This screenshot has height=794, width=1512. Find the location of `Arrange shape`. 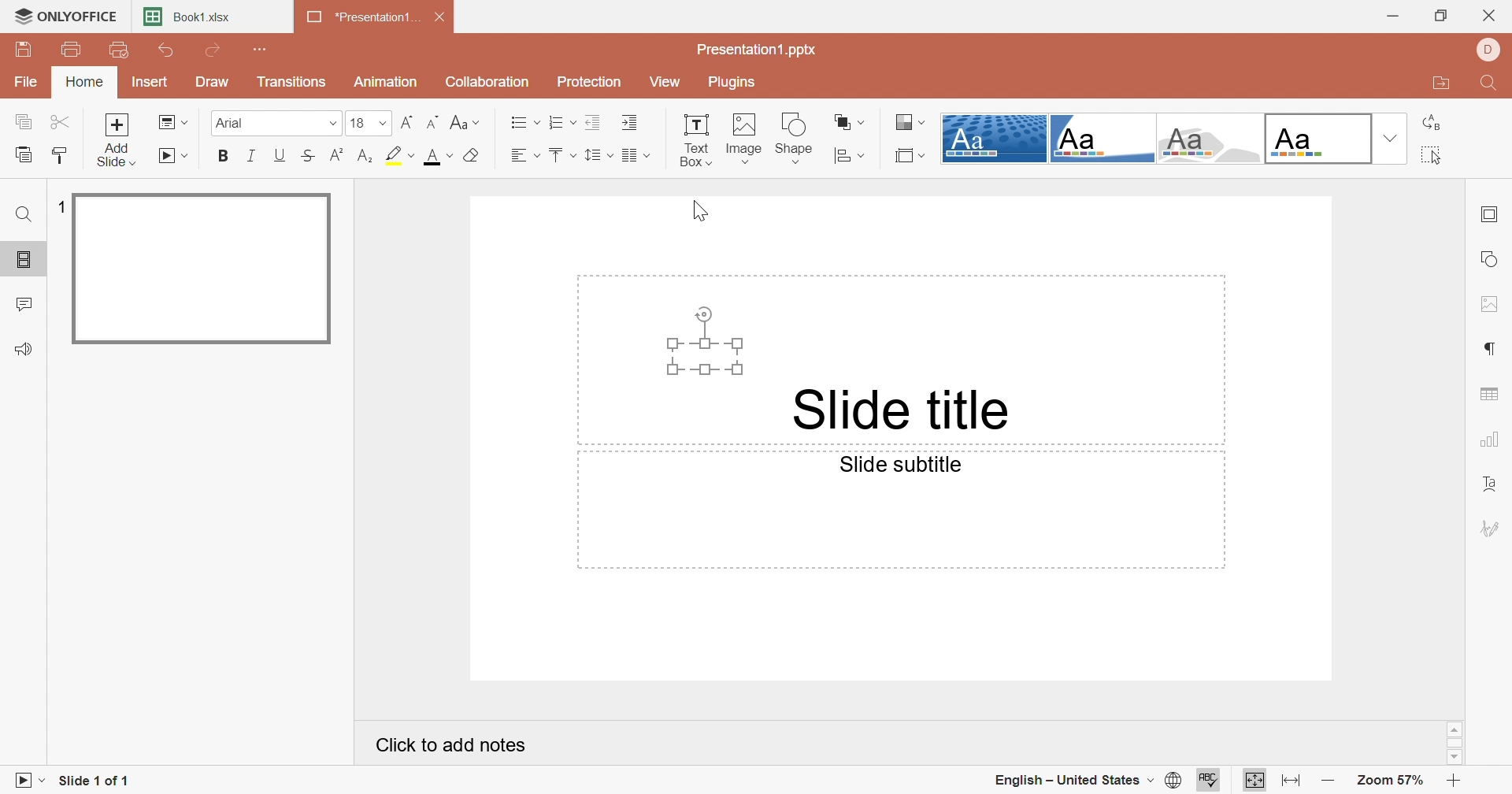

Arrange shape is located at coordinates (847, 121).